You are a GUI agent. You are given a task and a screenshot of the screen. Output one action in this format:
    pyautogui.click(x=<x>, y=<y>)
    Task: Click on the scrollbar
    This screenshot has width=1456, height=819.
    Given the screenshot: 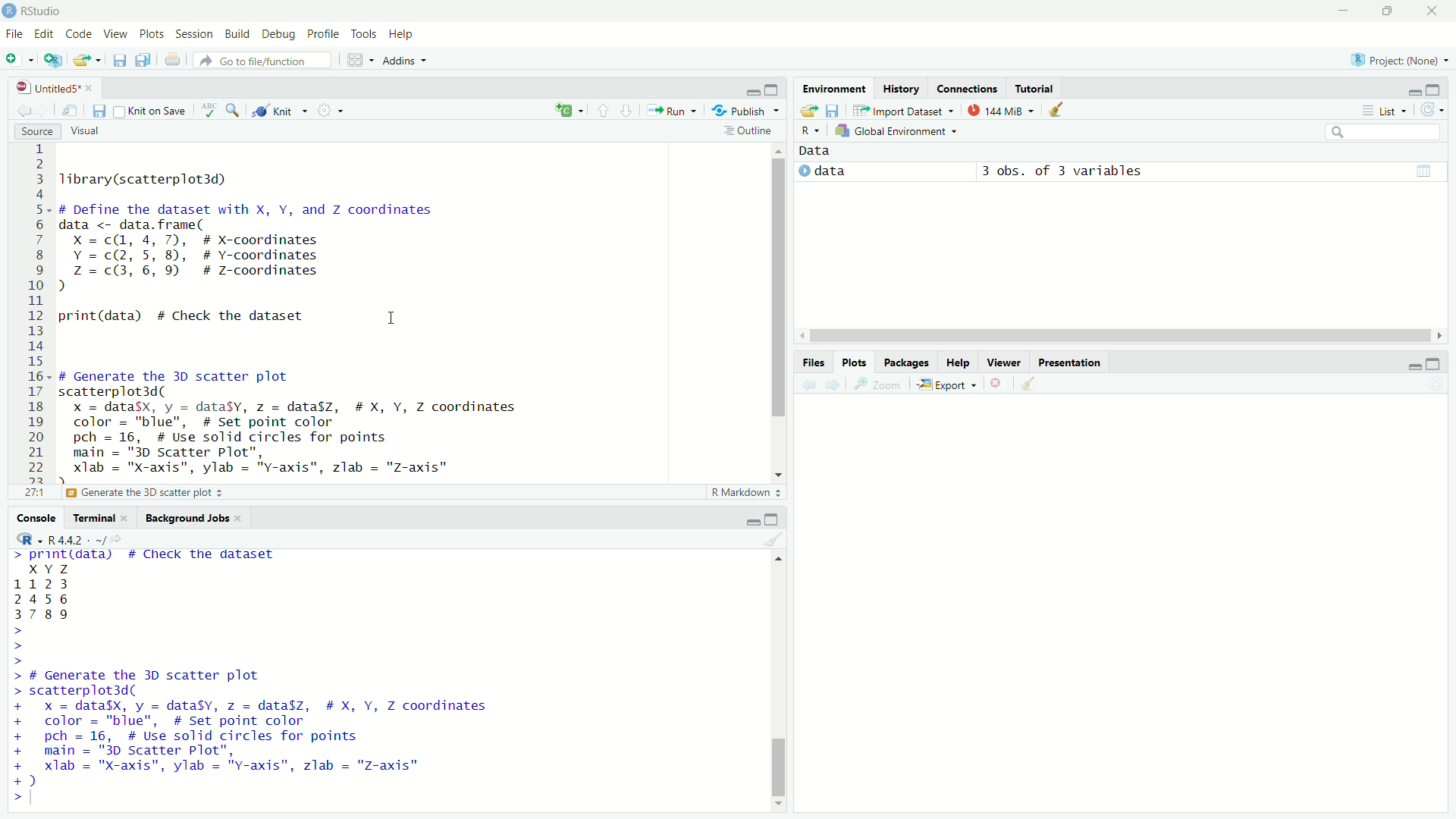 What is the action you would take?
    pyautogui.click(x=1119, y=335)
    